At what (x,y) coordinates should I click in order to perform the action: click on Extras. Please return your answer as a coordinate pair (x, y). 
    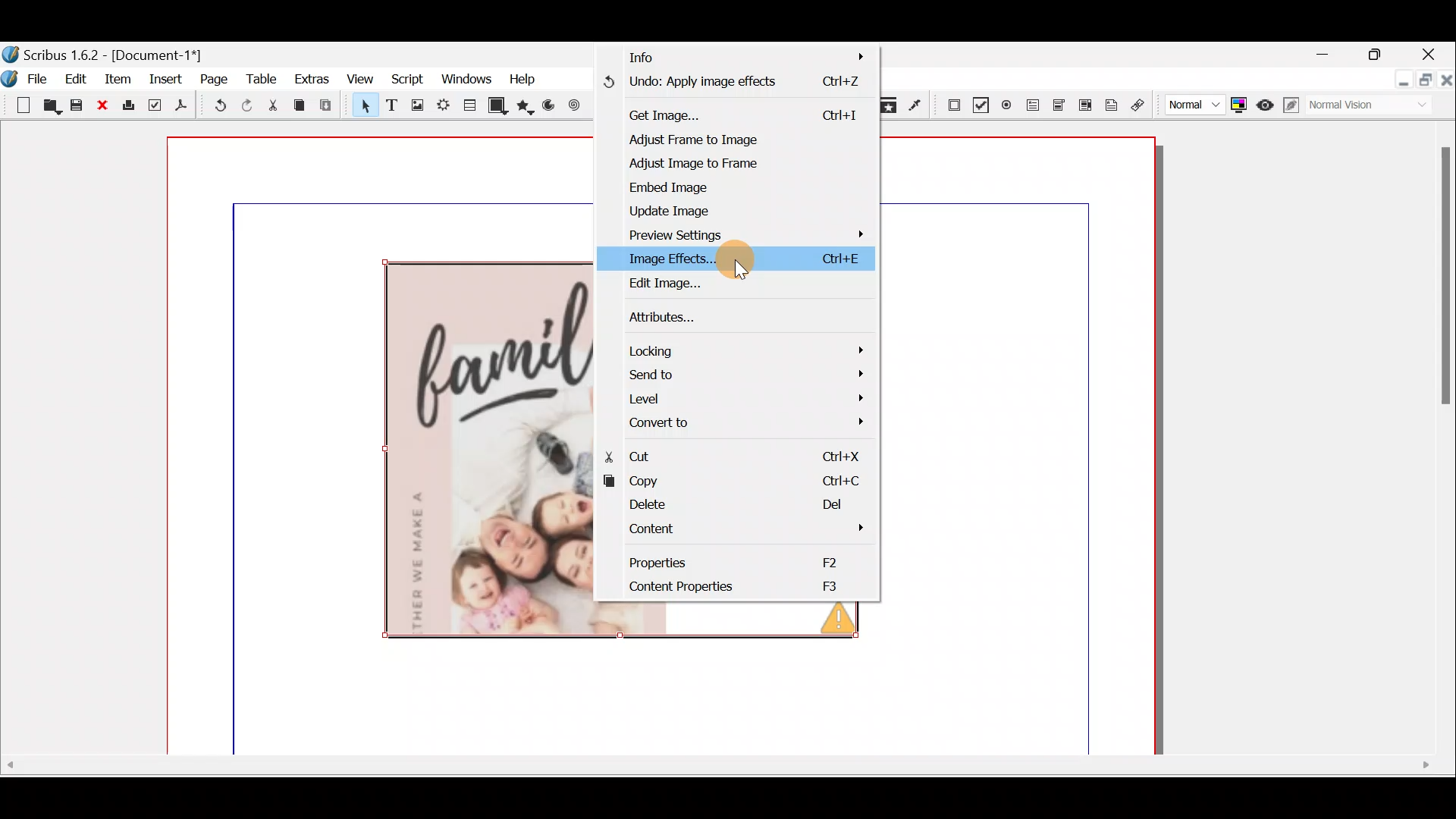
    Looking at the image, I should click on (312, 83).